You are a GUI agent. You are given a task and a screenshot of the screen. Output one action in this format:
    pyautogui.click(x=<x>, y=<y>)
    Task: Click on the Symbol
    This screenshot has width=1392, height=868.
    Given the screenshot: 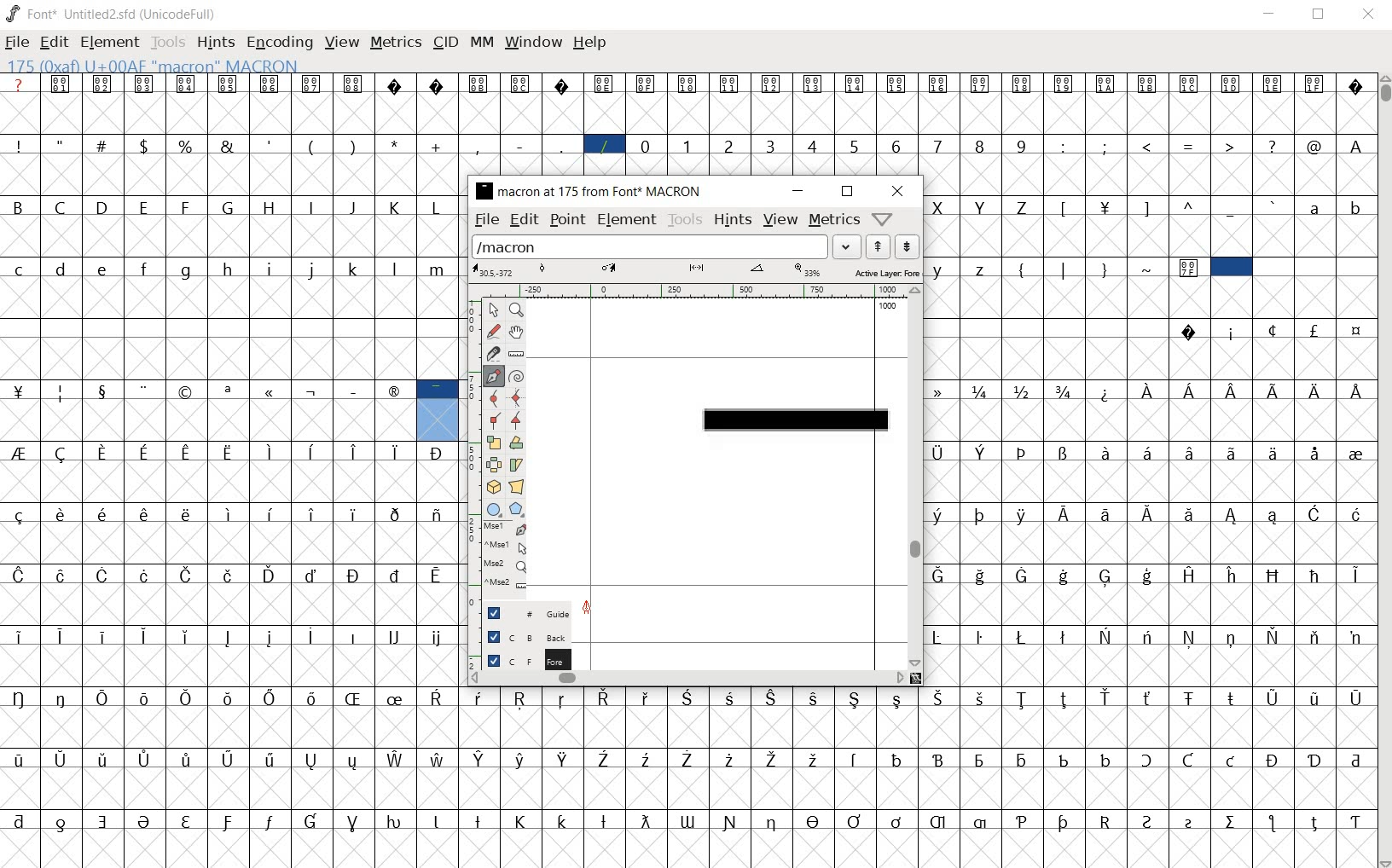 What is the action you would take?
    pyautogui.click(x=1066, y=452)
    